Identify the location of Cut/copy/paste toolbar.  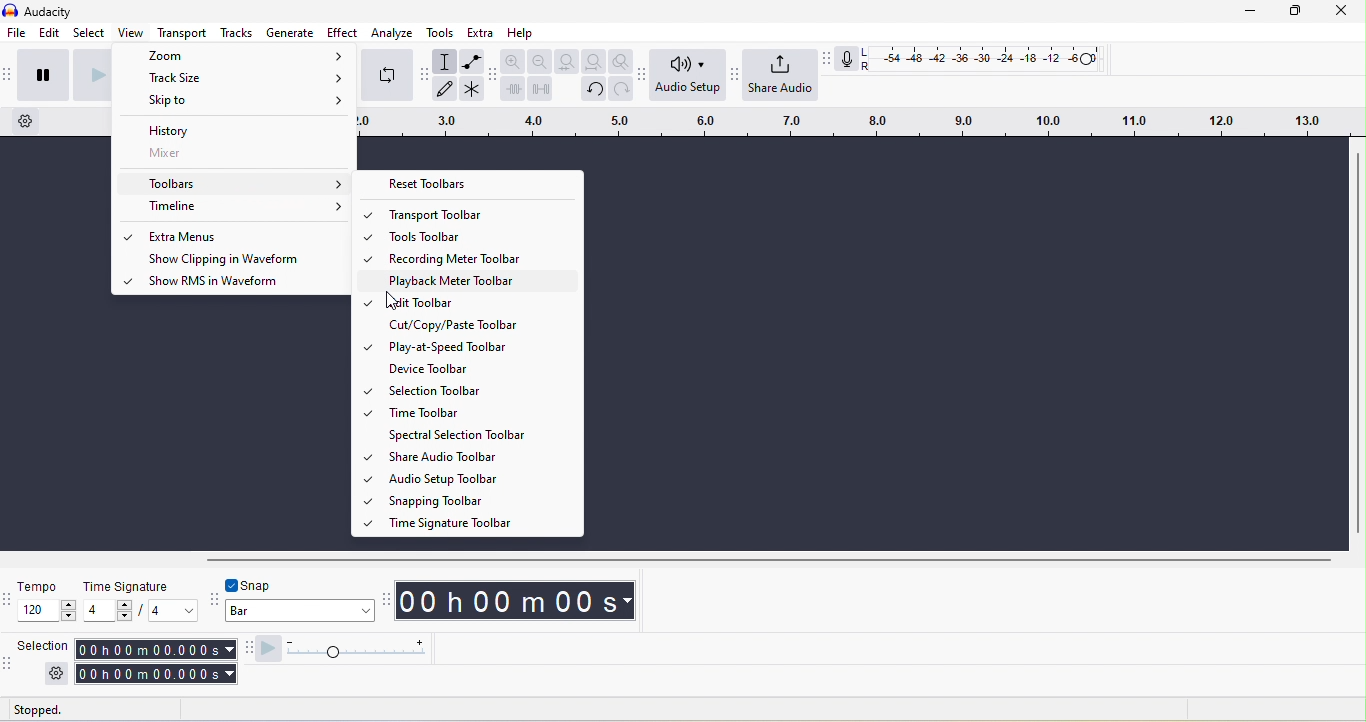
(480, 324).